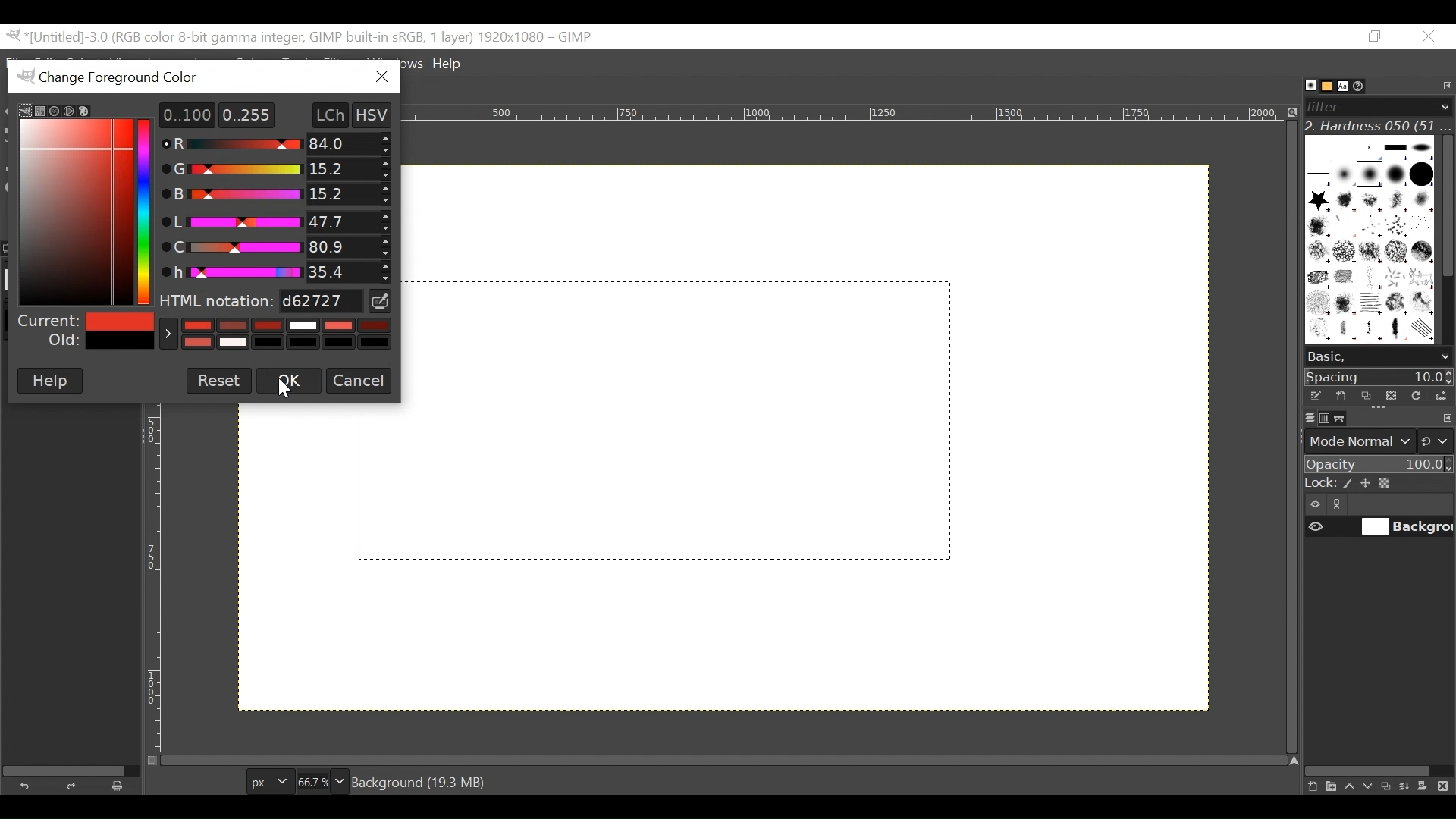  I want to click on Background (19.3 MB), so click(422, 781).